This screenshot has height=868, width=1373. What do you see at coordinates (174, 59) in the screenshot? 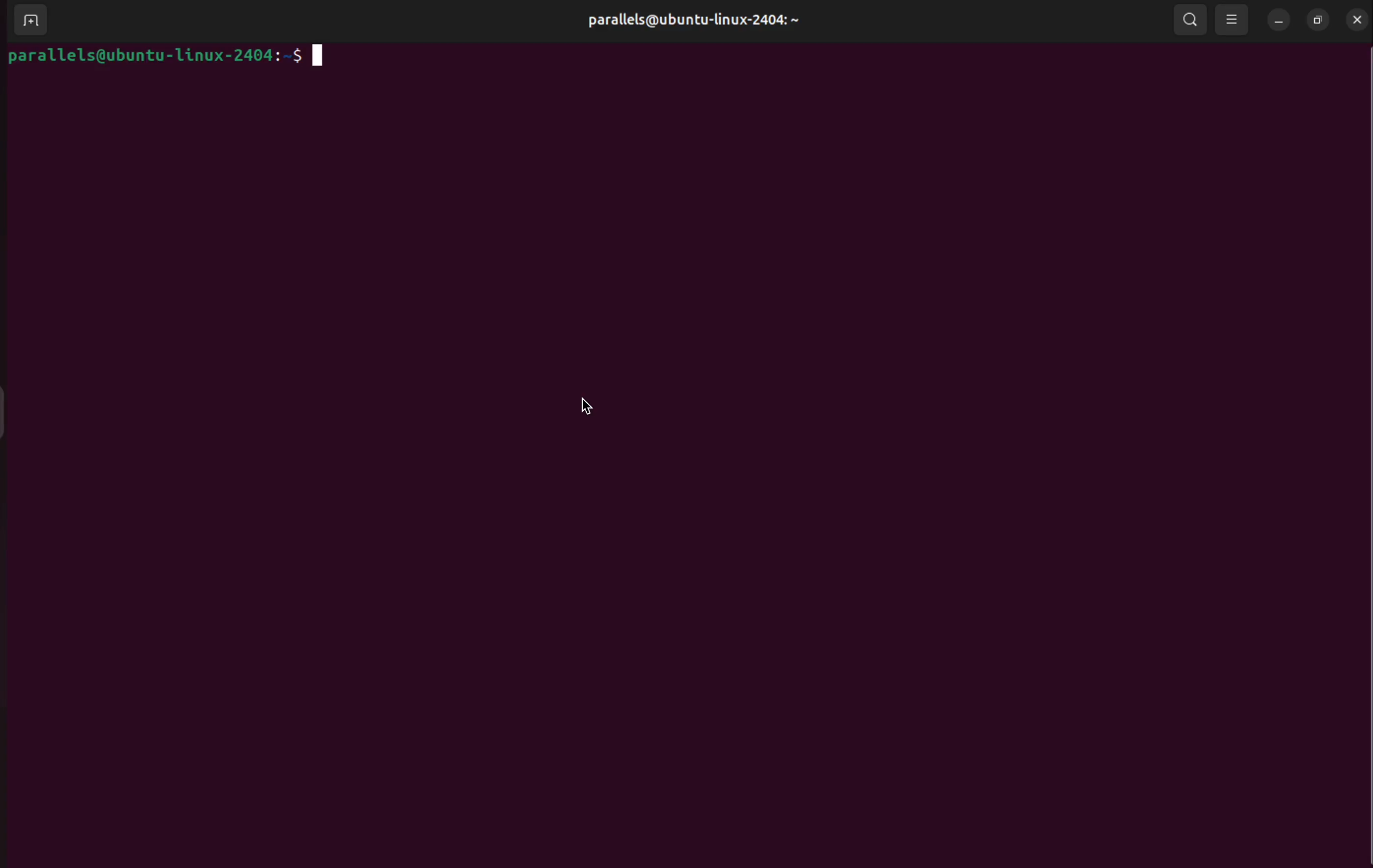
I see `bash prompt` at bounding box center [174, 59].